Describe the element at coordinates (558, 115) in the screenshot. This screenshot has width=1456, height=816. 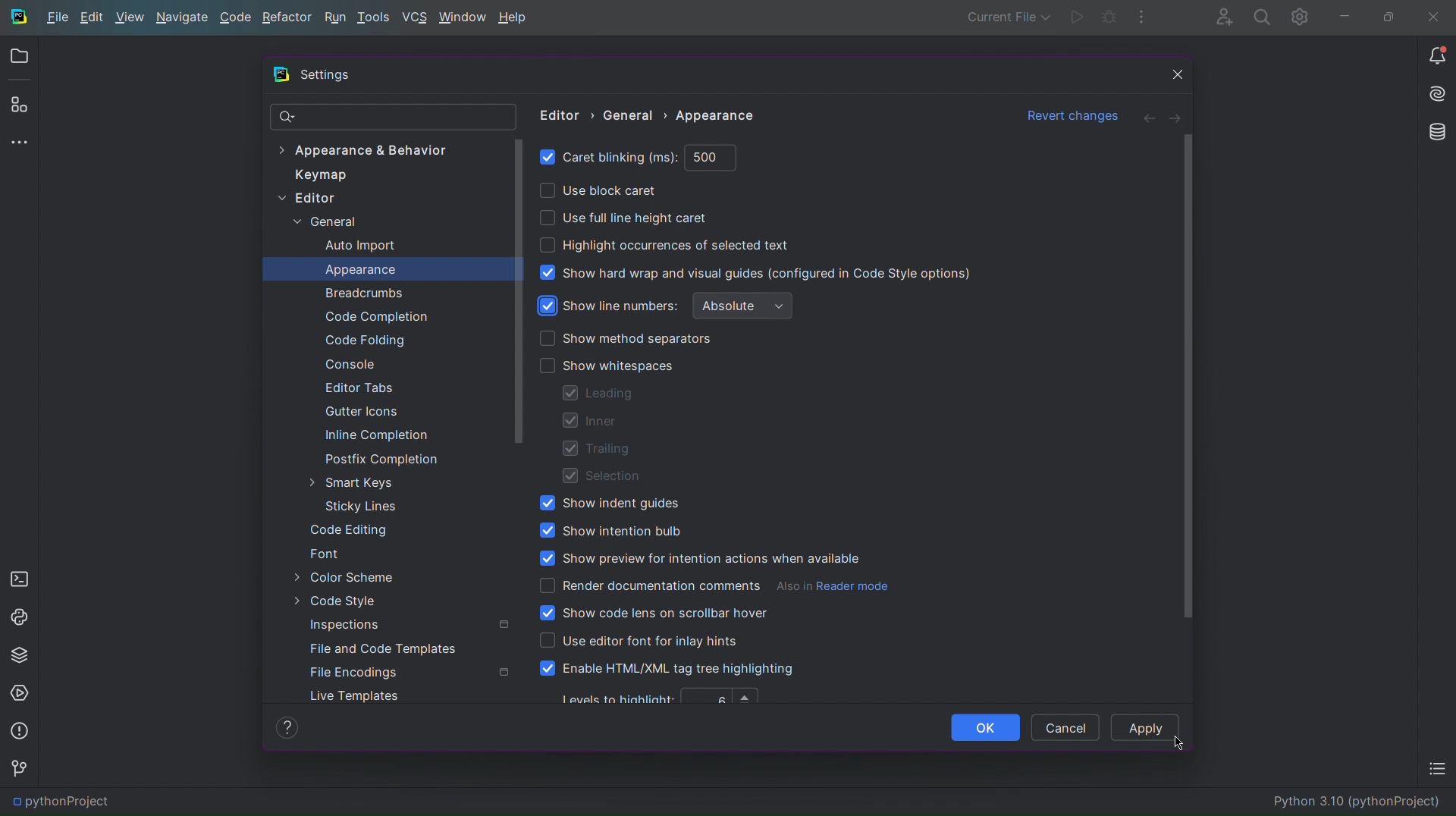
I see `Editor` at that location.